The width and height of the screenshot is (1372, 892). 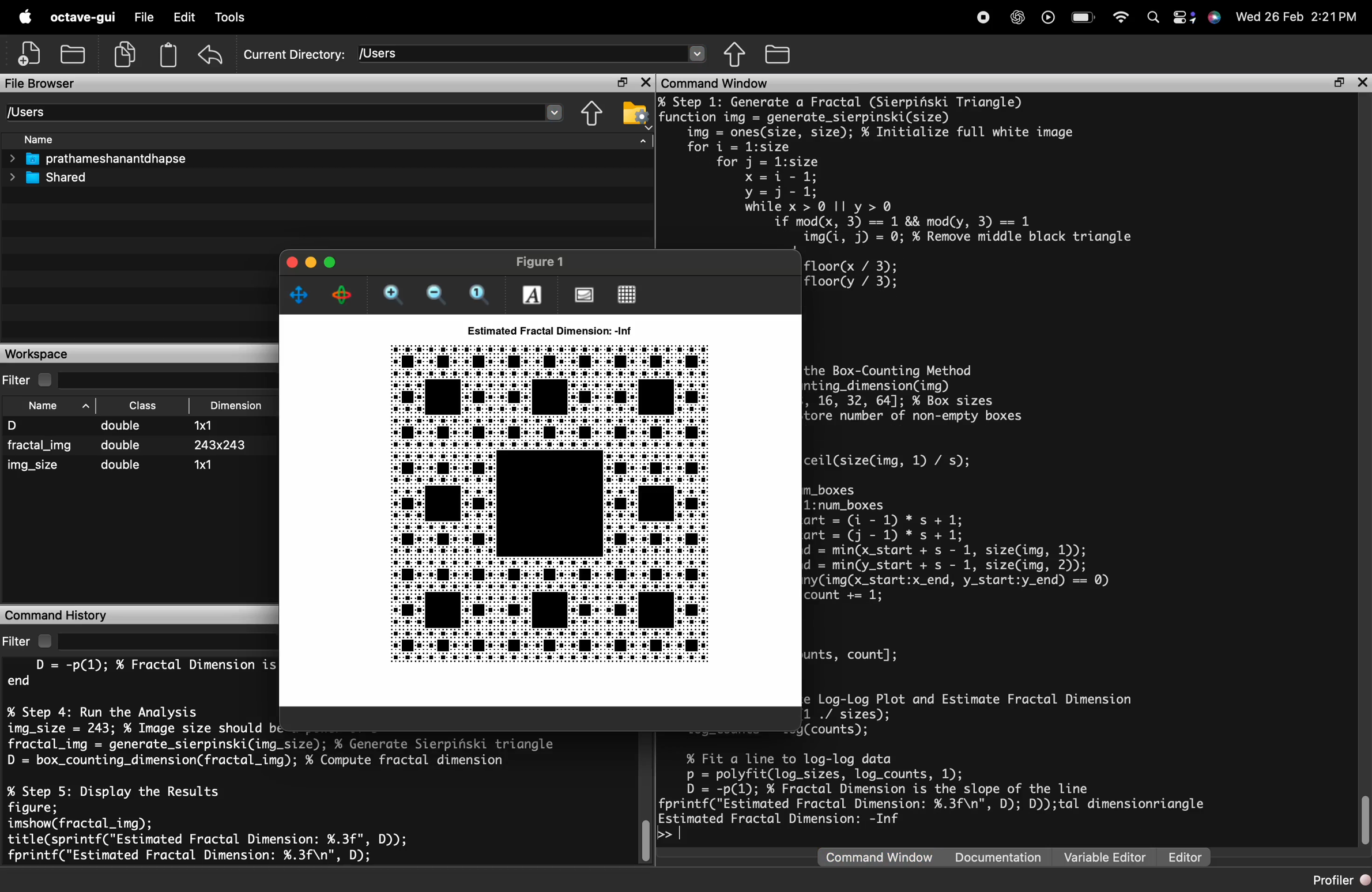 What do you see at coordinates (547, 329) in the screenshot?
I see `Estimated Fractal Dimension: -Inf` at bounding box center [547, 329].